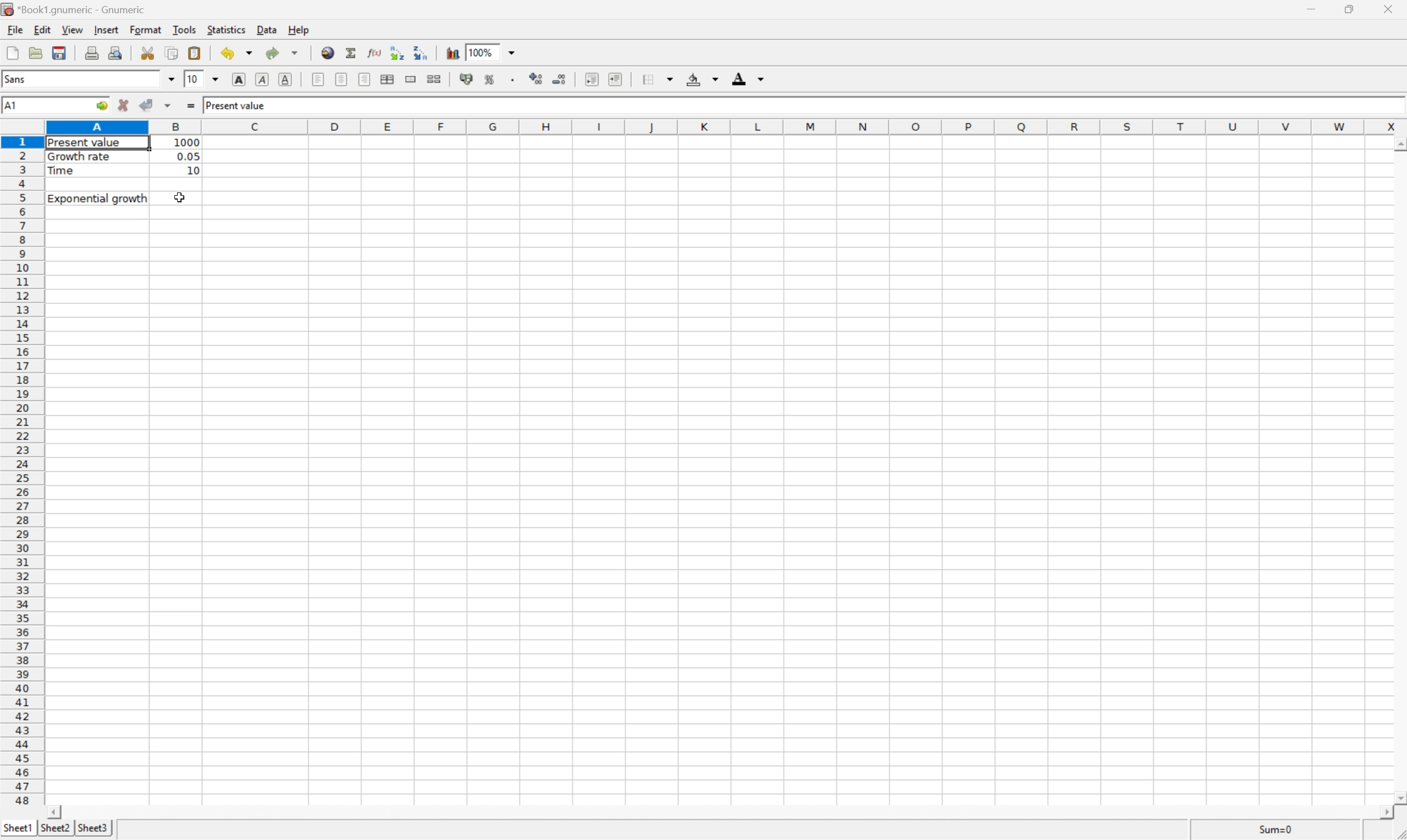 The height and width of the screenshot is (840, 1407). What do you see at coordinates (483, 53) in the screenshot?
I see `100%` at bounding box center [483, 53].